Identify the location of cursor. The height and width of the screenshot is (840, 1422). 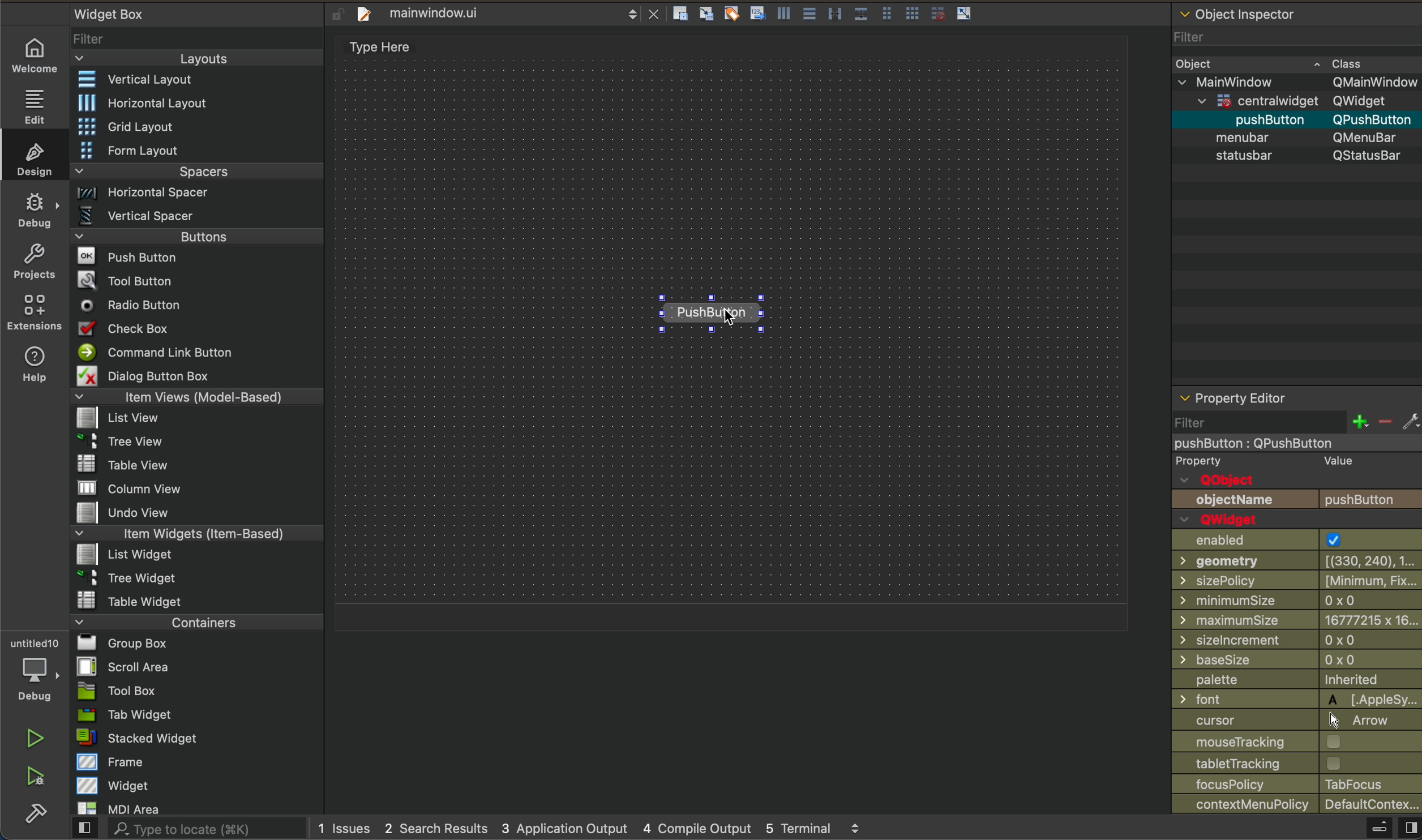
(727, 319).